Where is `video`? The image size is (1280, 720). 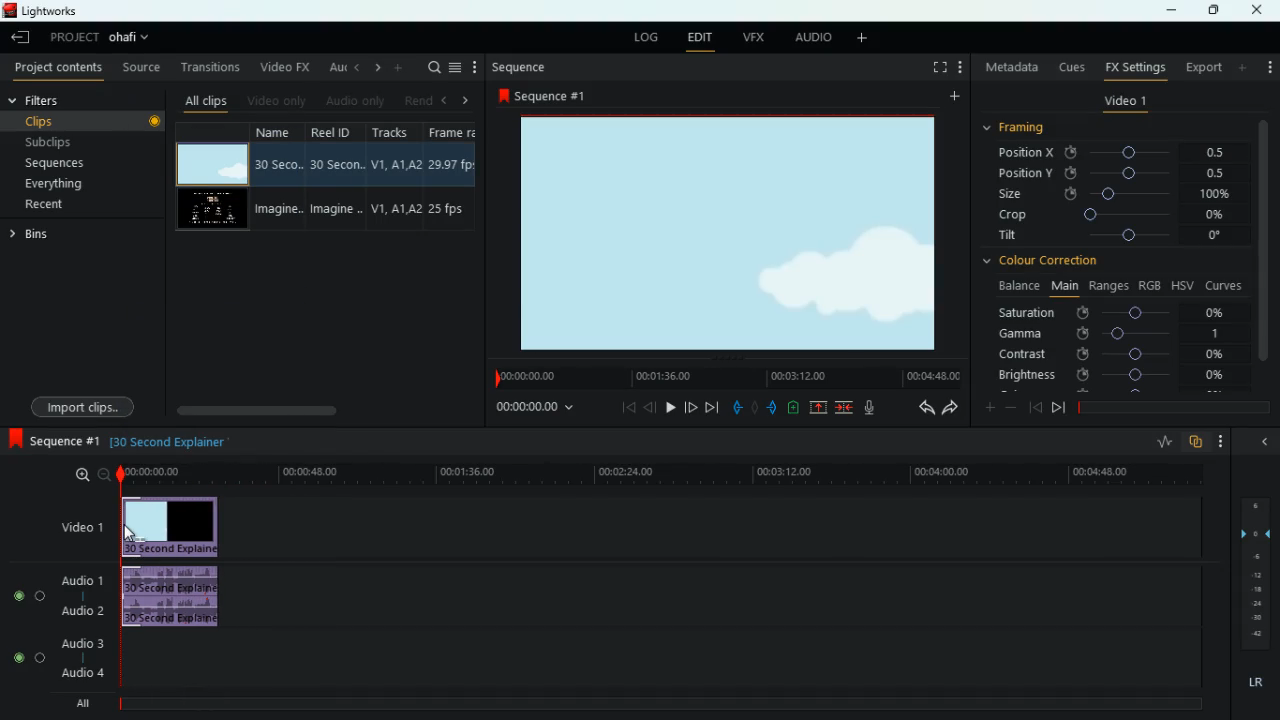 video is located at coordinates (211, 212).